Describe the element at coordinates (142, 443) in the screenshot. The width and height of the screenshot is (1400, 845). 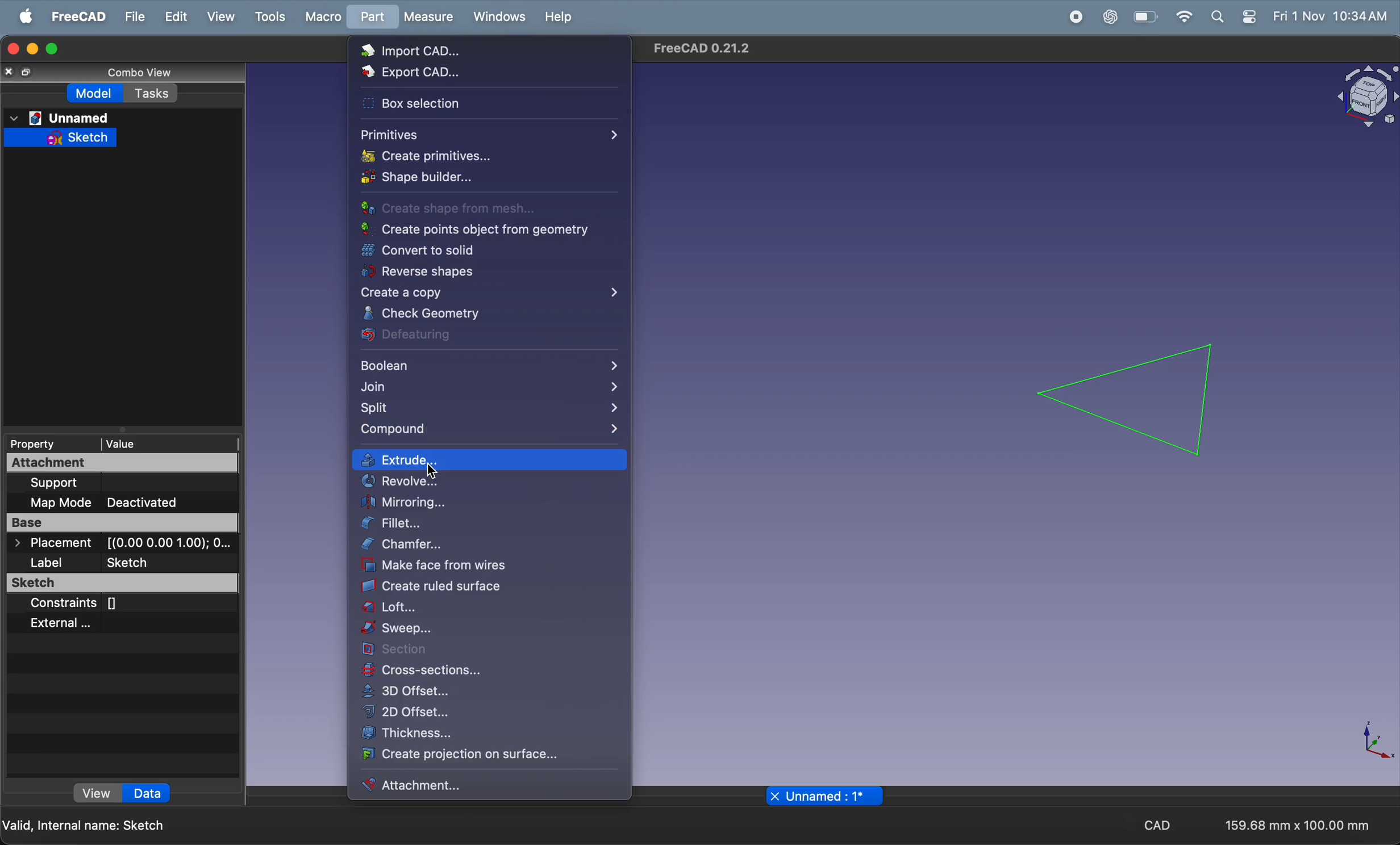
I see `value` at that location.